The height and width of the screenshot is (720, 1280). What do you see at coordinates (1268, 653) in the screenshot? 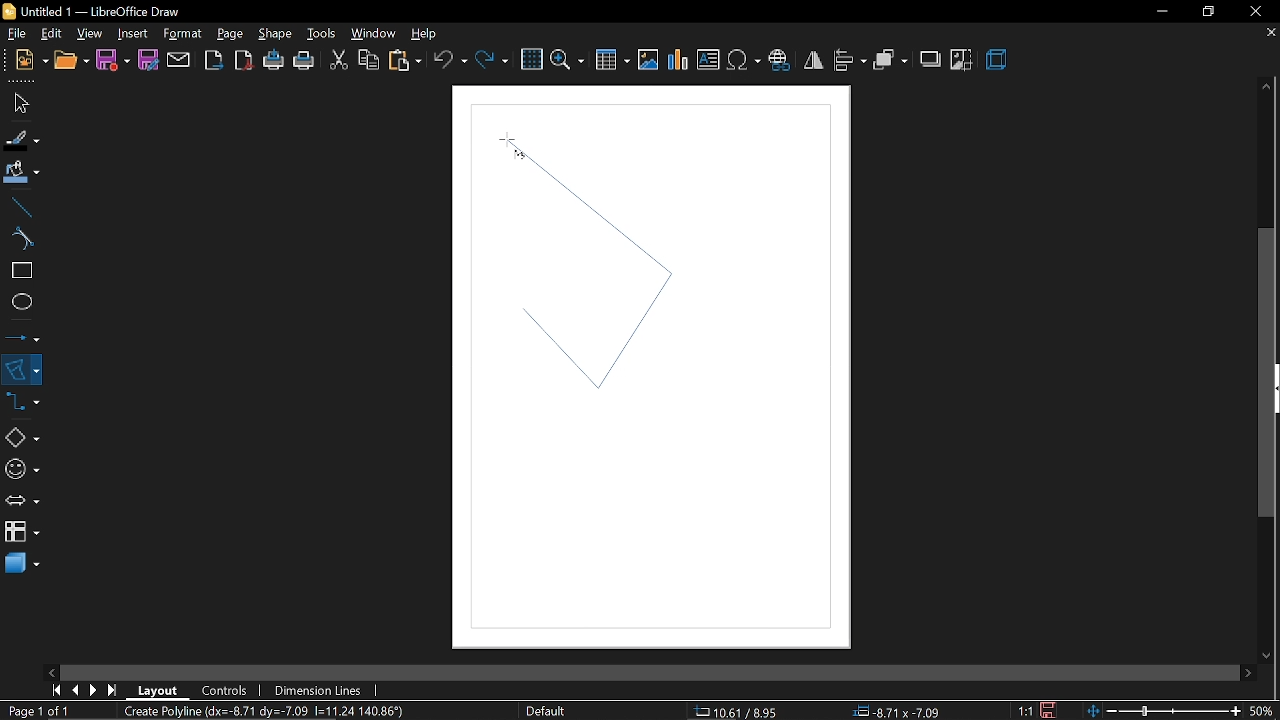
I see `move down` at bounding box center [1268, 653].